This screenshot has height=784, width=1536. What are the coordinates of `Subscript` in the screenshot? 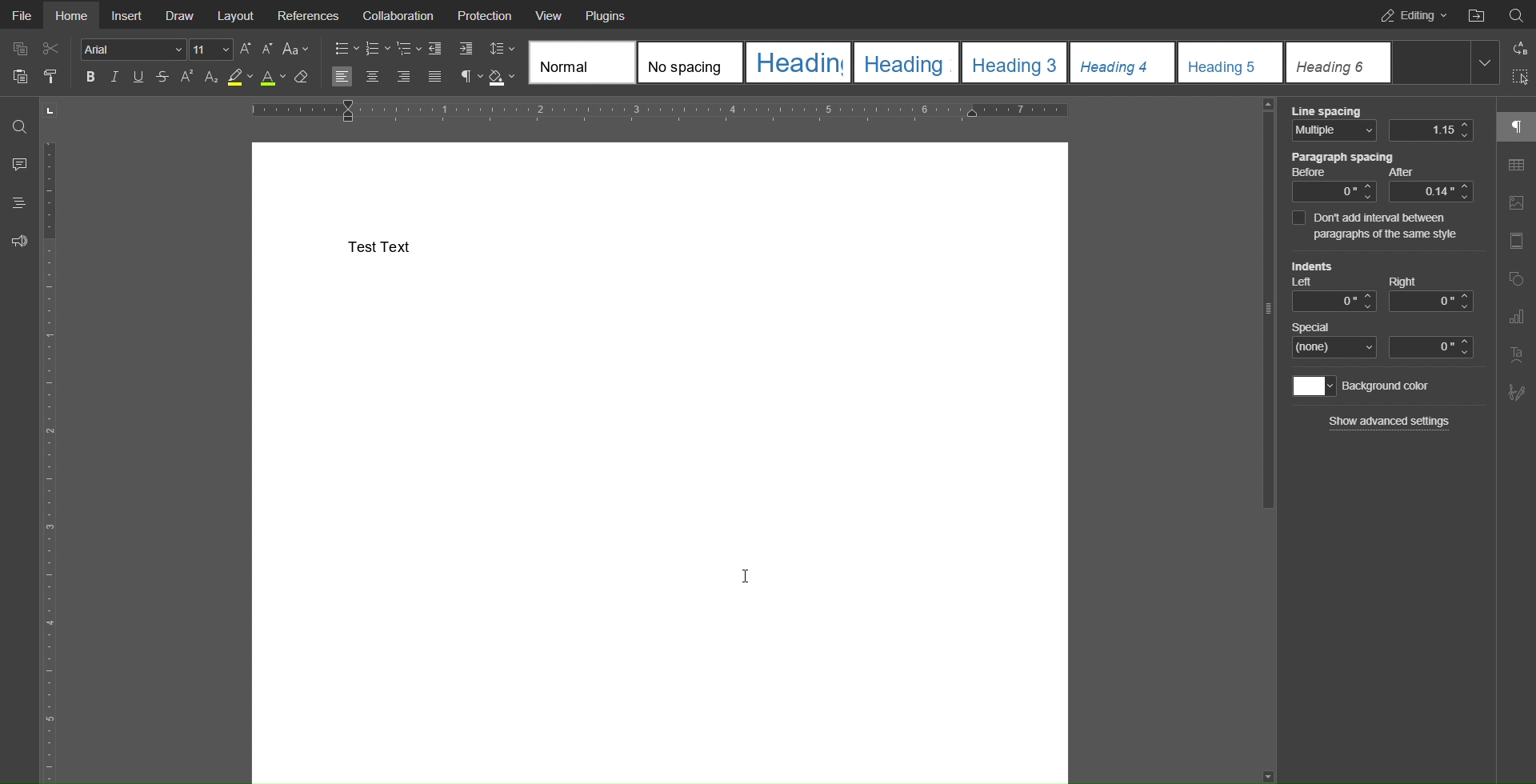 It's located at (211, 78).